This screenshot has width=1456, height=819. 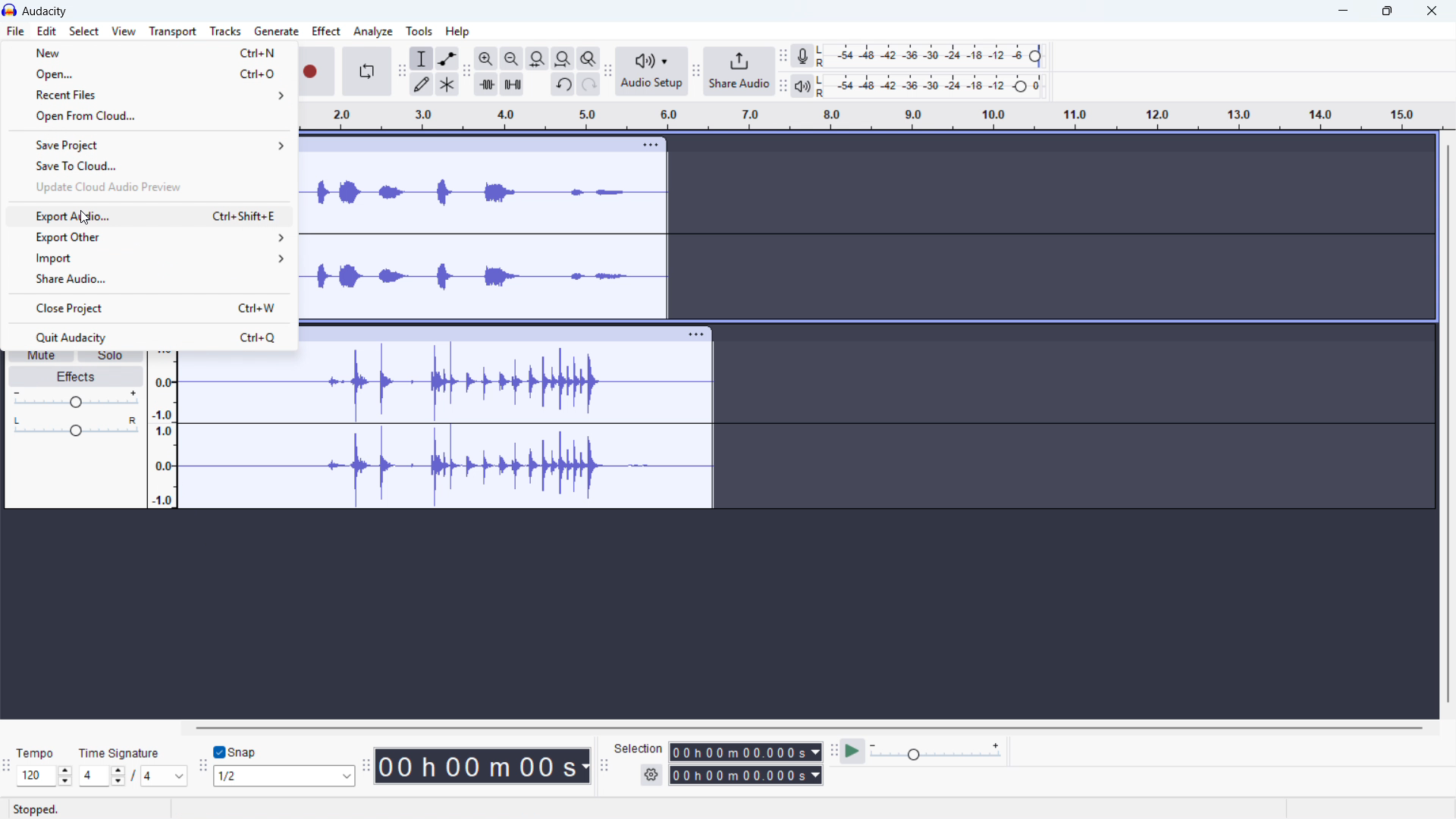 I want to click on Time toolbar, so click(x=368, y=767).